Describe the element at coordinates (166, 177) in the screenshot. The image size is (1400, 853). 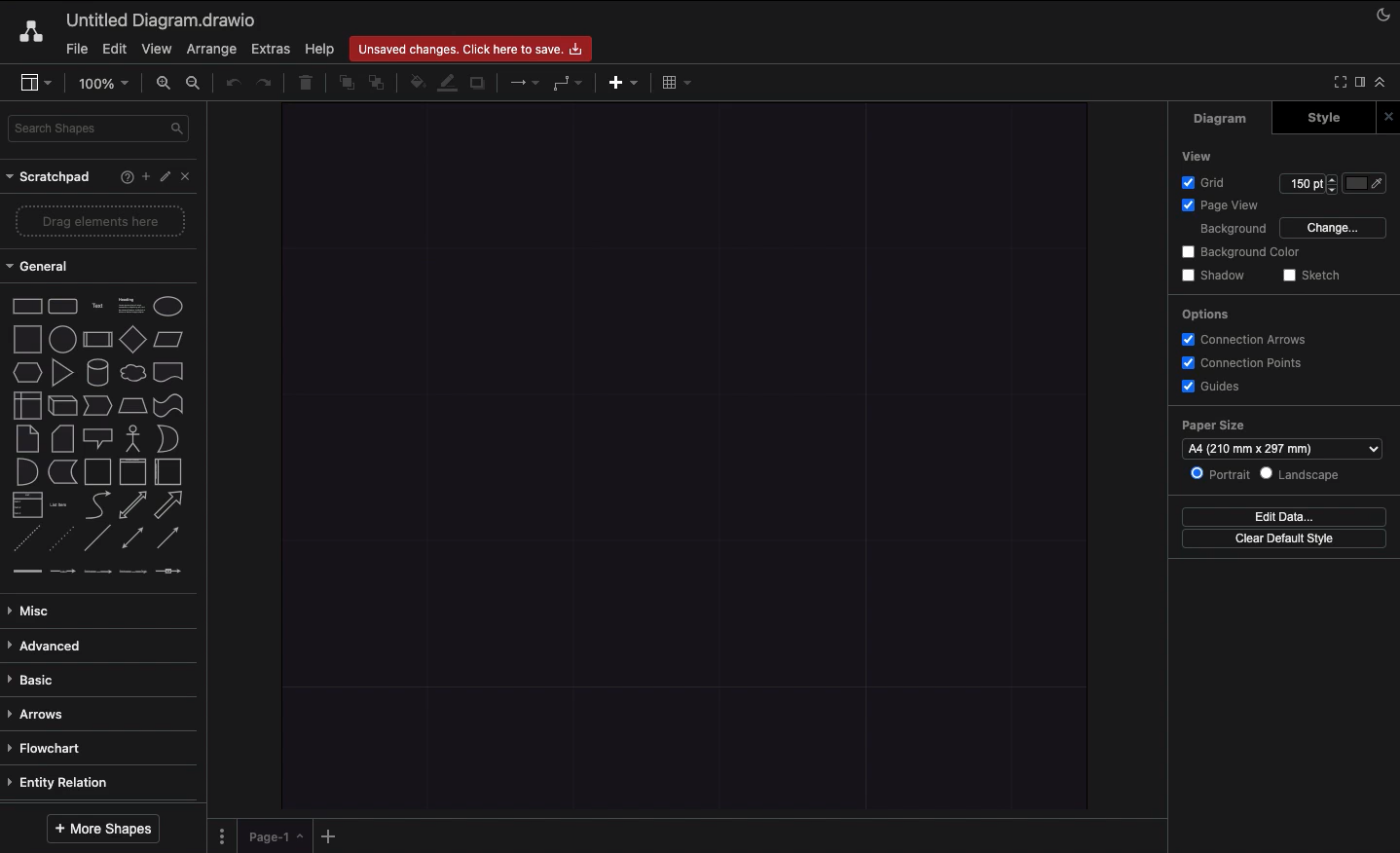
I see `Edit` at that location.